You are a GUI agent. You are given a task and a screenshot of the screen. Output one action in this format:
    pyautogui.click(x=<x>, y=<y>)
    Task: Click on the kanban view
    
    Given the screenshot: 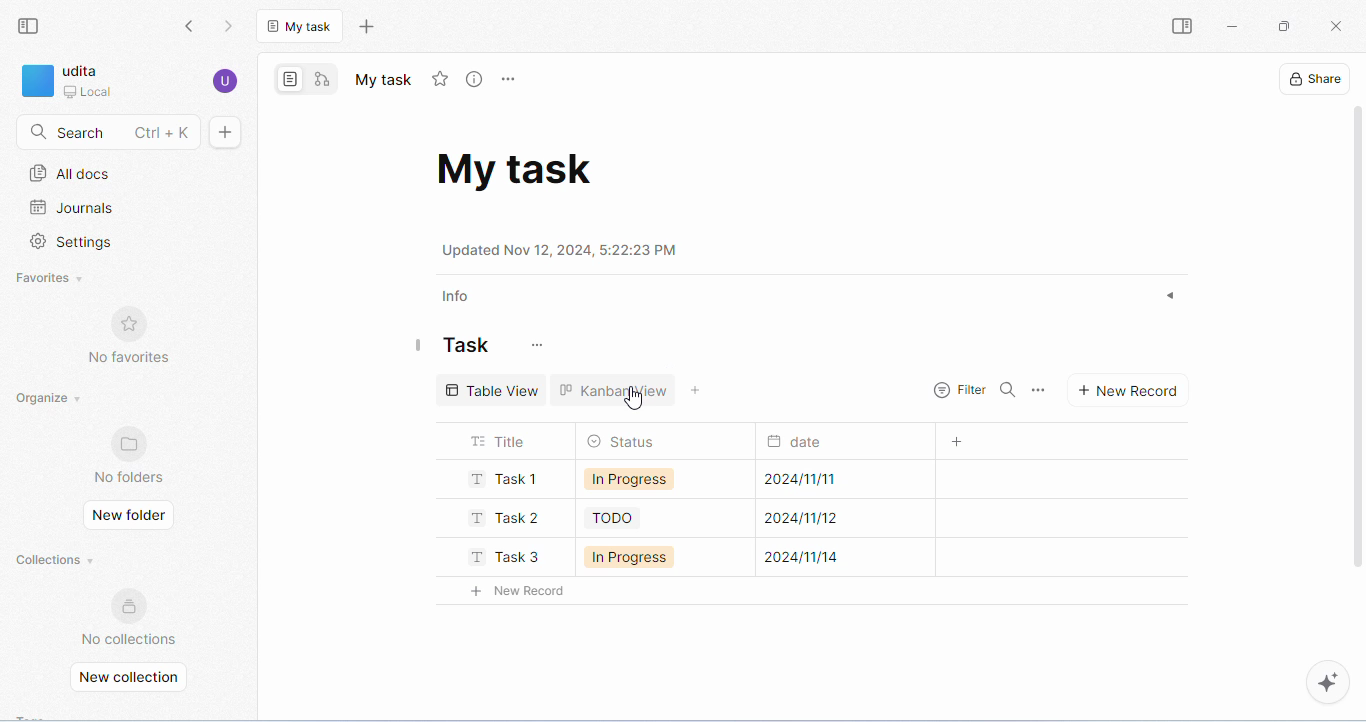 What is the action you would take?
    pyautogui.click(x=624, y=394)
    